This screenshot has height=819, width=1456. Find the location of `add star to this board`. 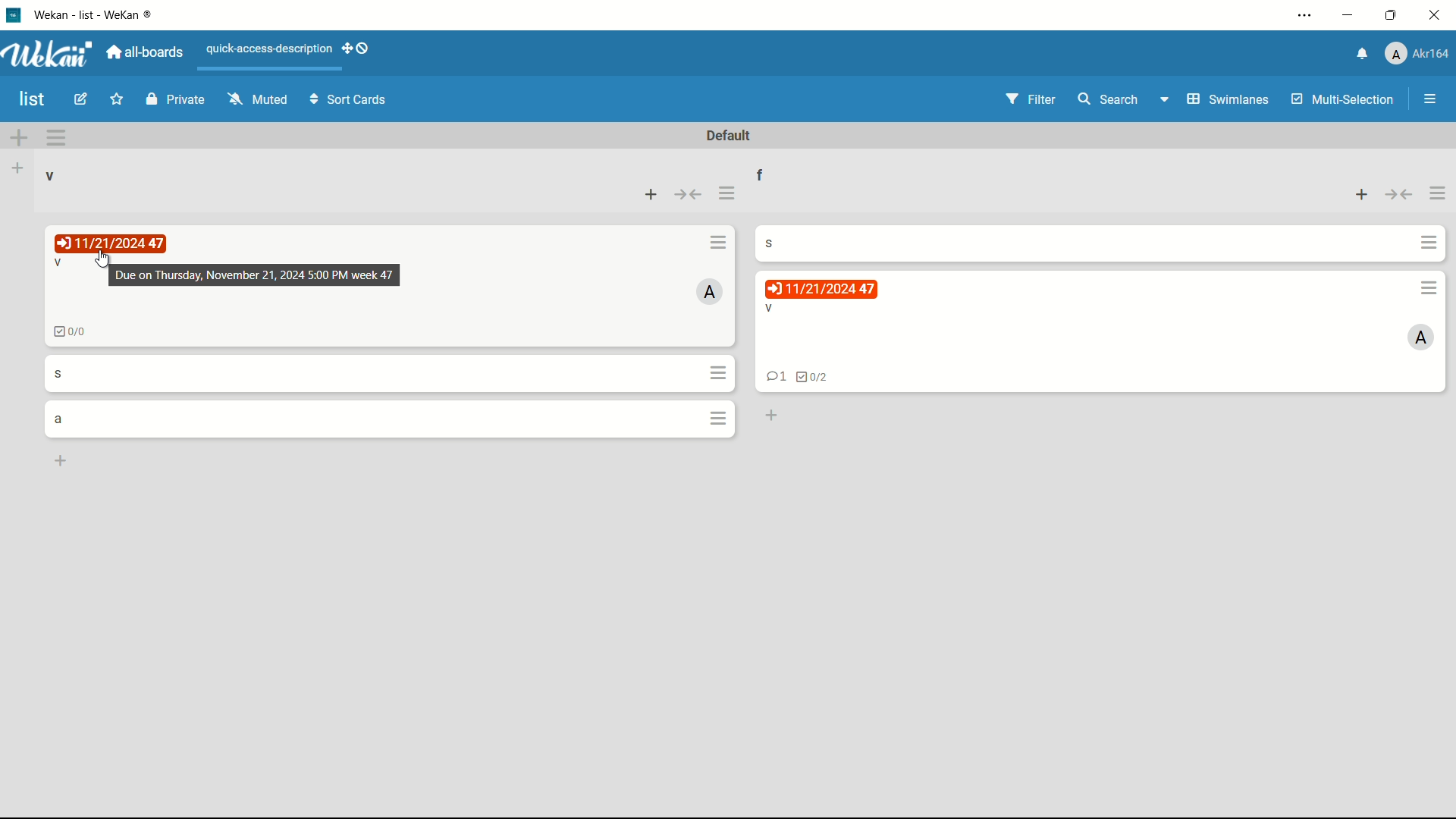

add star to this board is located at coordinates (115, 102).